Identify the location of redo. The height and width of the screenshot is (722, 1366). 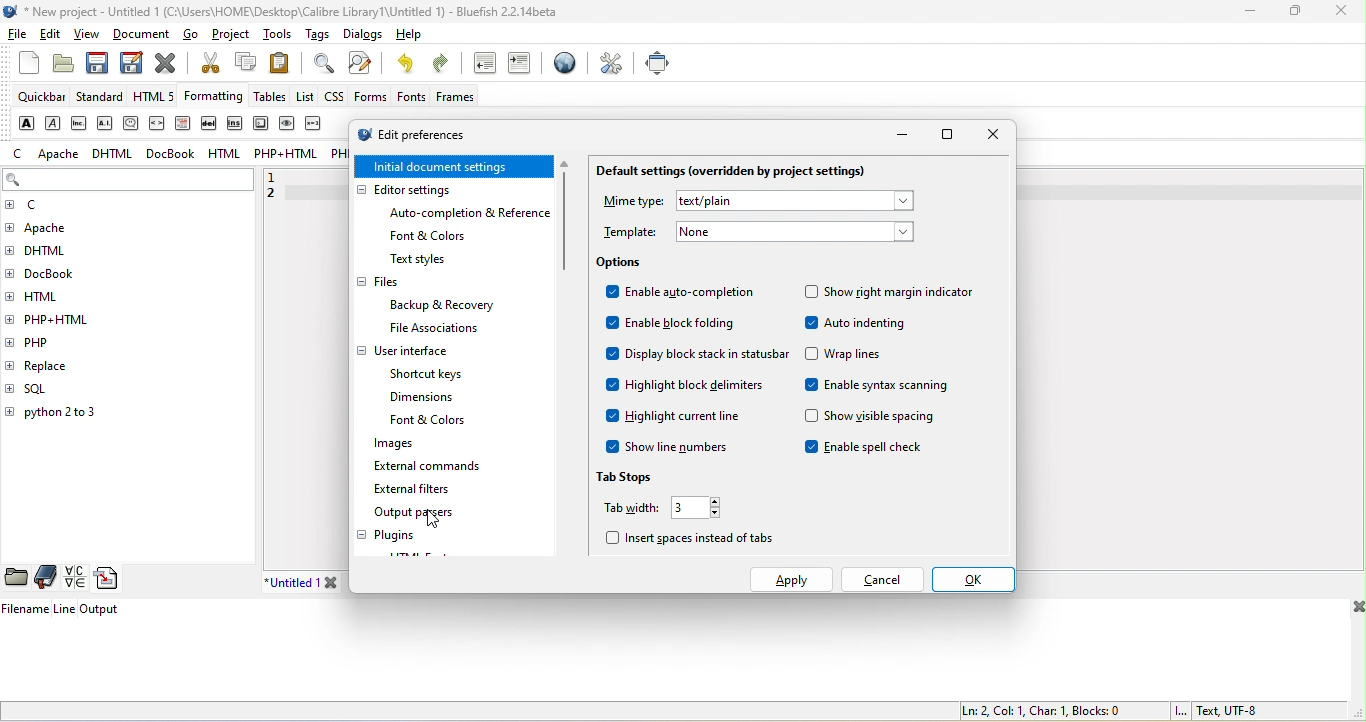
(445, 66).